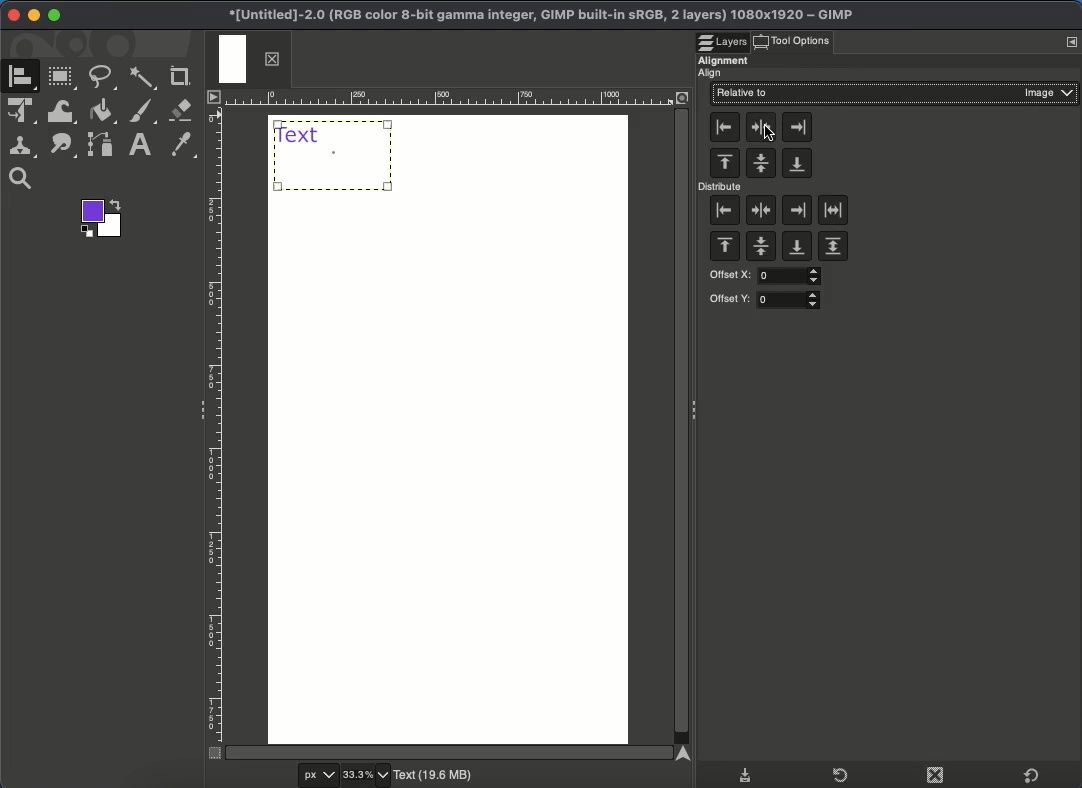 This screenshot has height=788, width=1082. Describe the element at coordinates (763, 276) in the screenshot. I see `Offset X:` at that location.